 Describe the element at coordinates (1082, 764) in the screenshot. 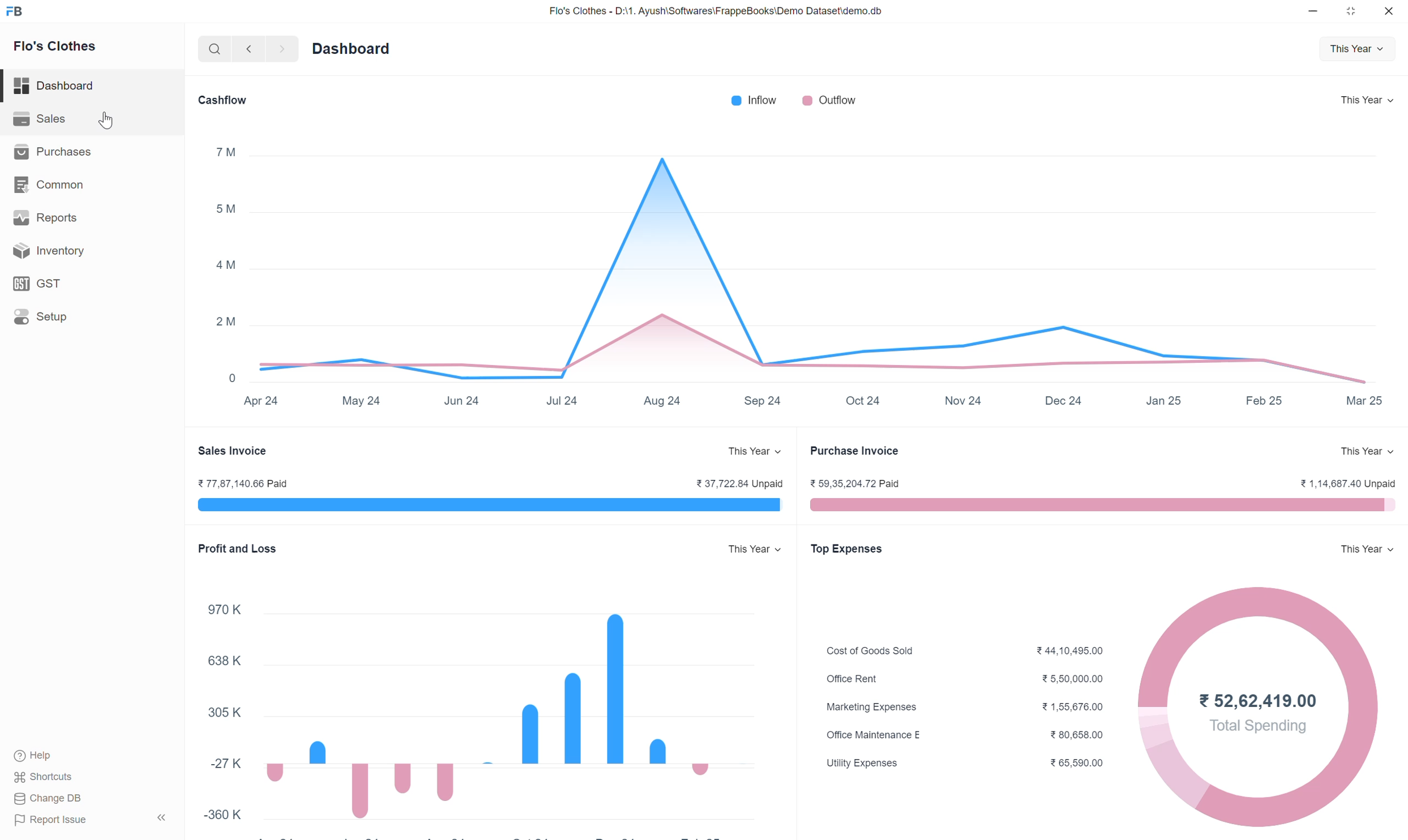

I see `Rs 65,590.00` at that location.